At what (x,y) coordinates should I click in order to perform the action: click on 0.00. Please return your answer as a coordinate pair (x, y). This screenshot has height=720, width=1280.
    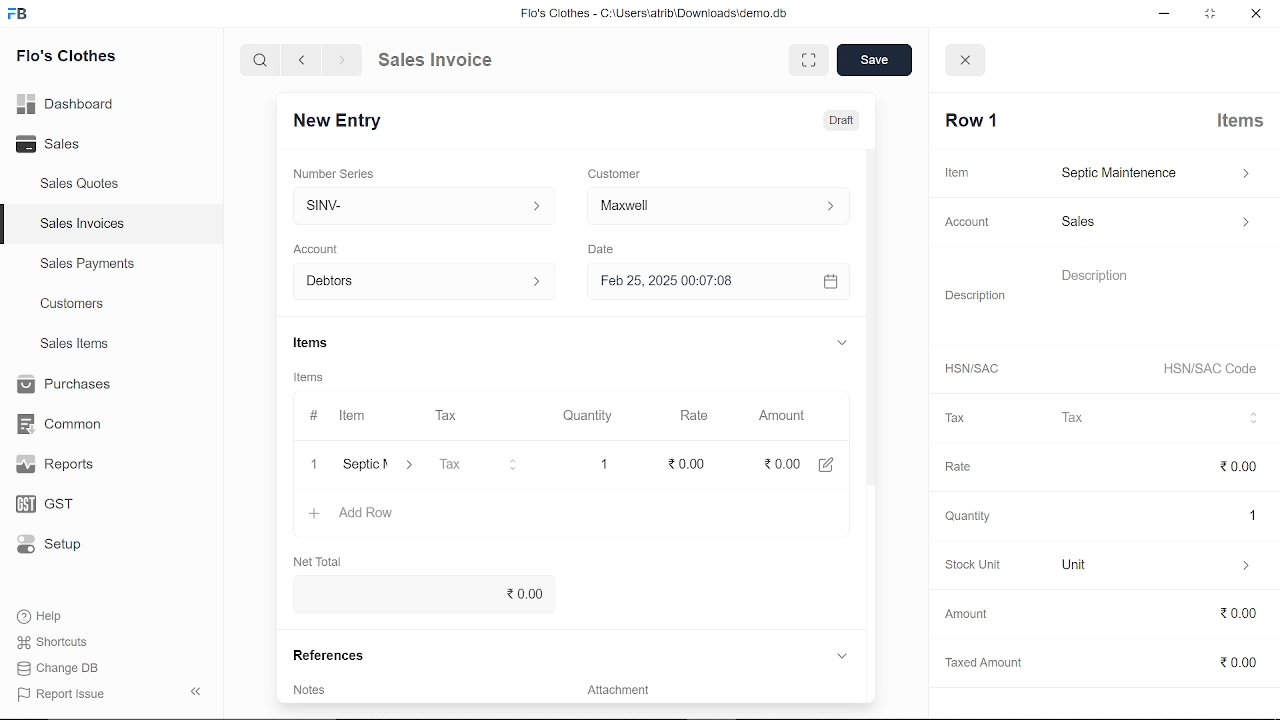
    Looking at the image, I should click on (1230, 664).